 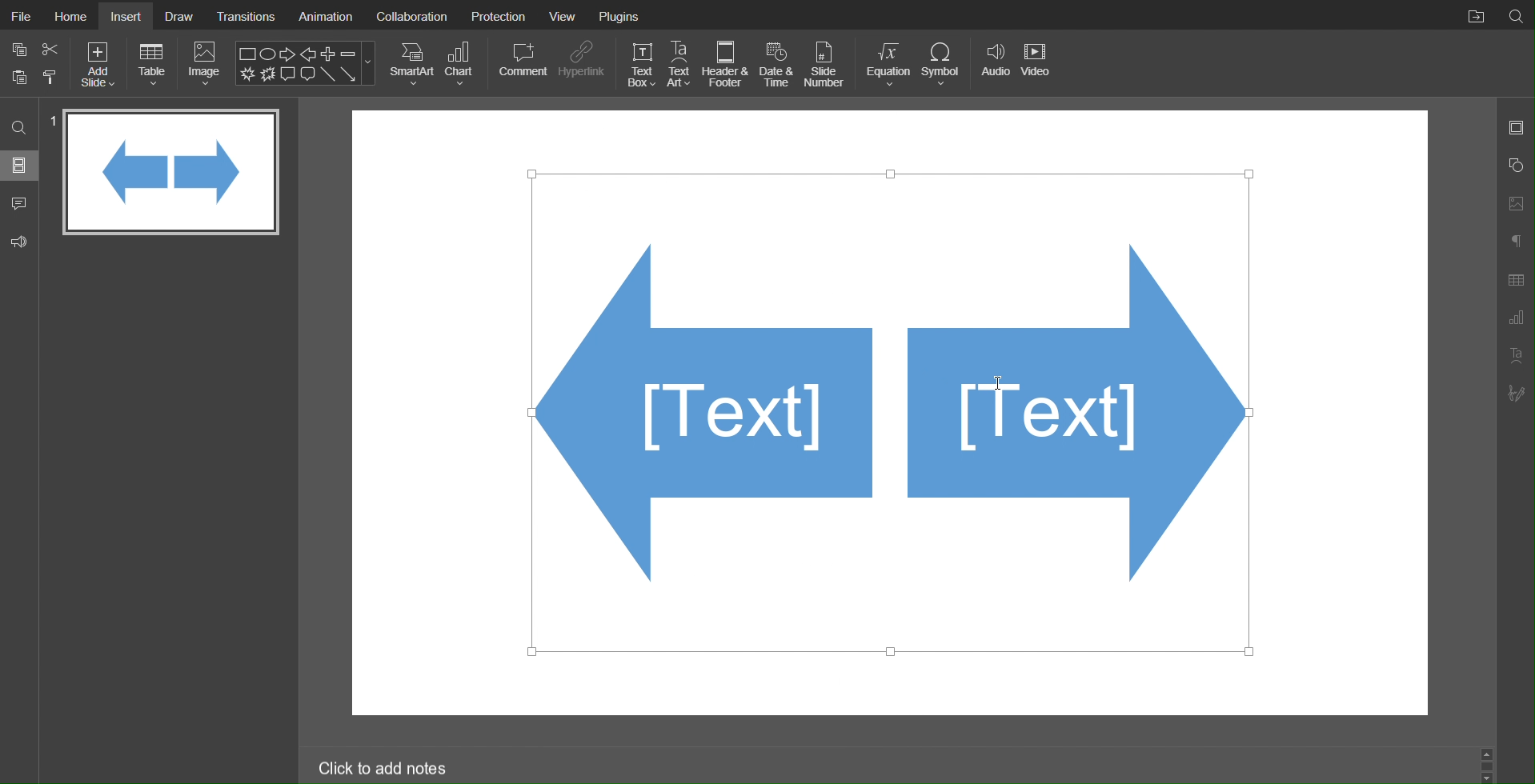 What do you see at coordinates (384, 766) in the screenshot?
I see `Click to add notes` at bounding box center [384, 766].